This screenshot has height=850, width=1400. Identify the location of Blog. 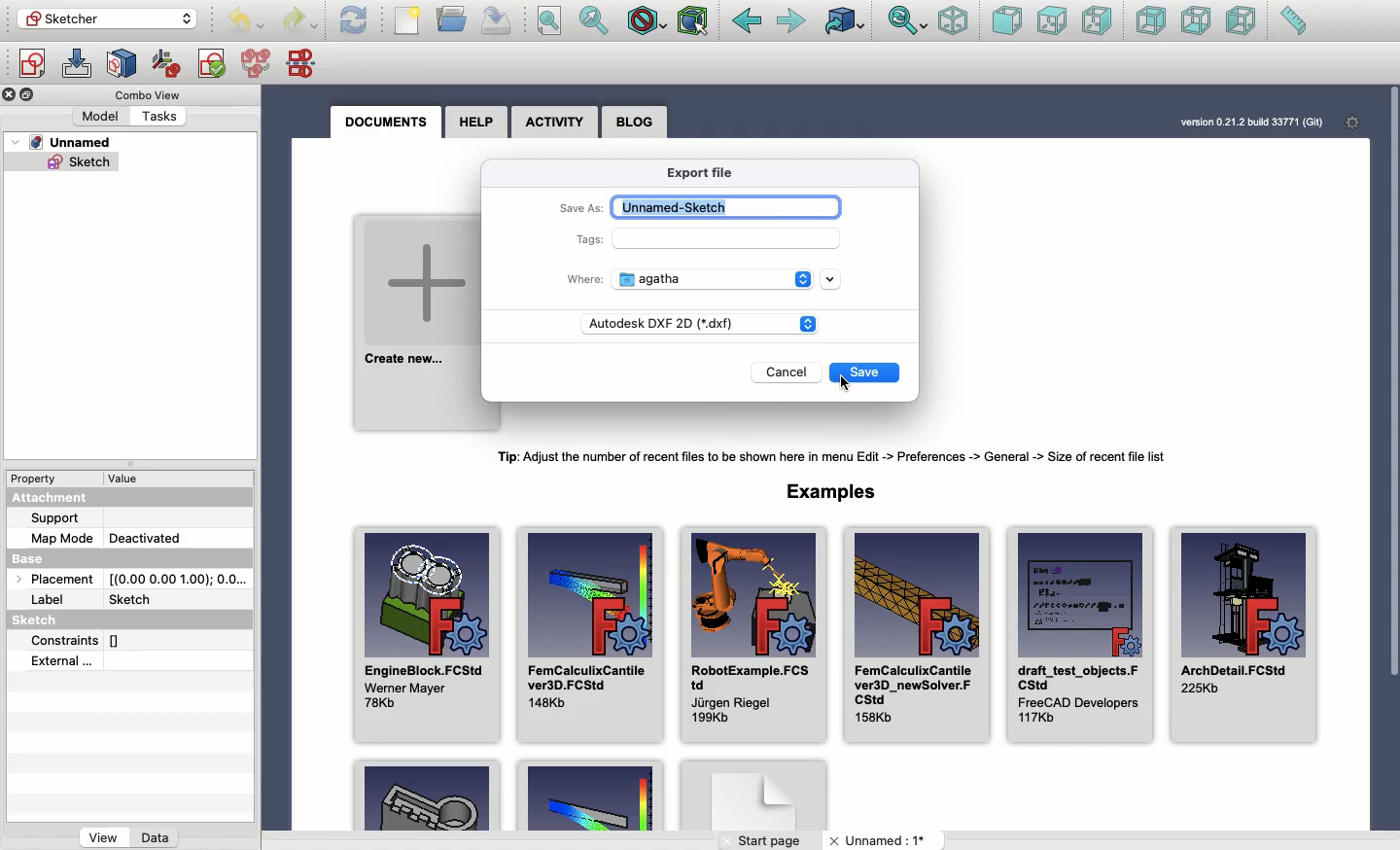
(634, 123).